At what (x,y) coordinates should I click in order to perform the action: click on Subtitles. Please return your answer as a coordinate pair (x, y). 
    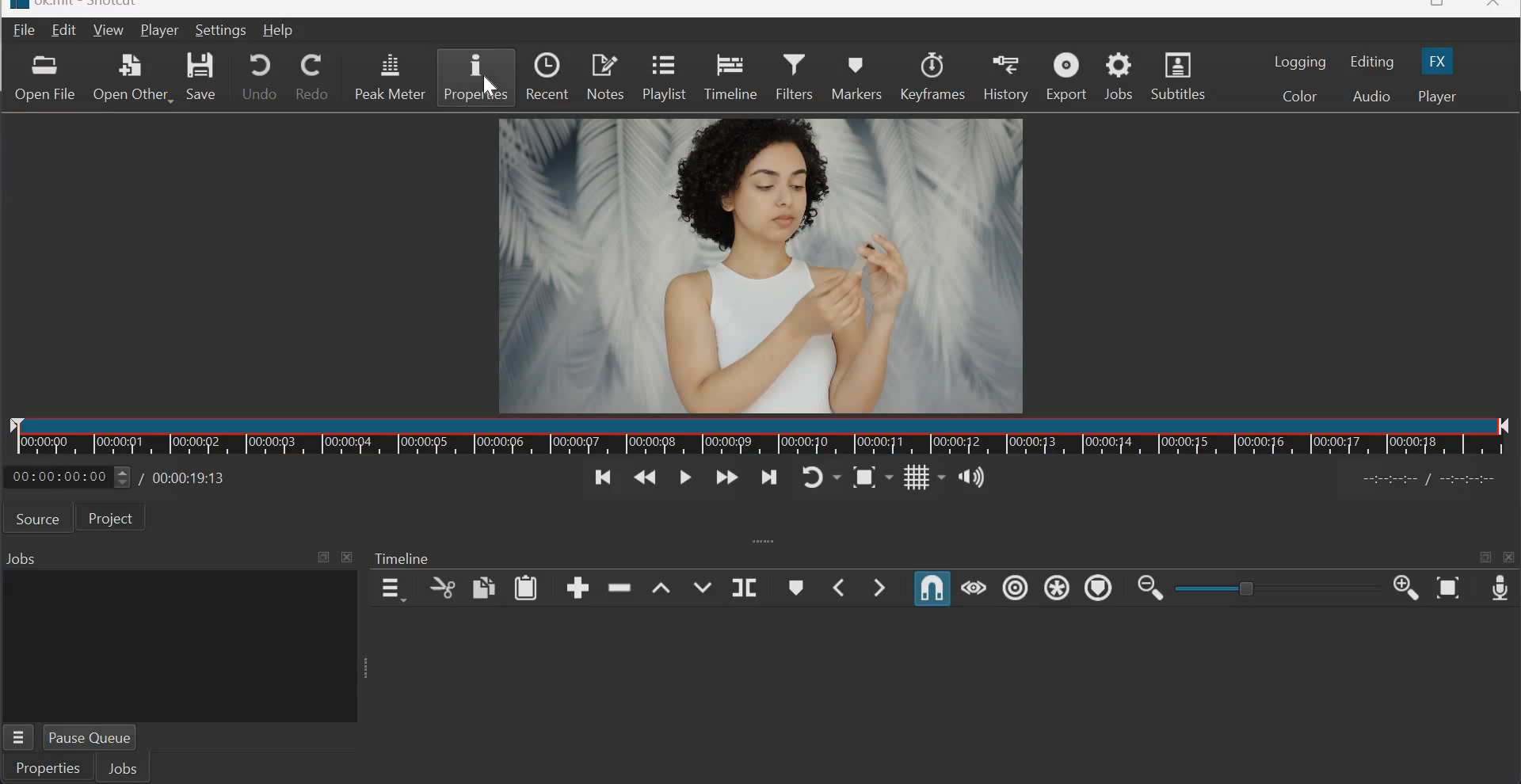
    Looking at the image, I should click on (1177, 74).